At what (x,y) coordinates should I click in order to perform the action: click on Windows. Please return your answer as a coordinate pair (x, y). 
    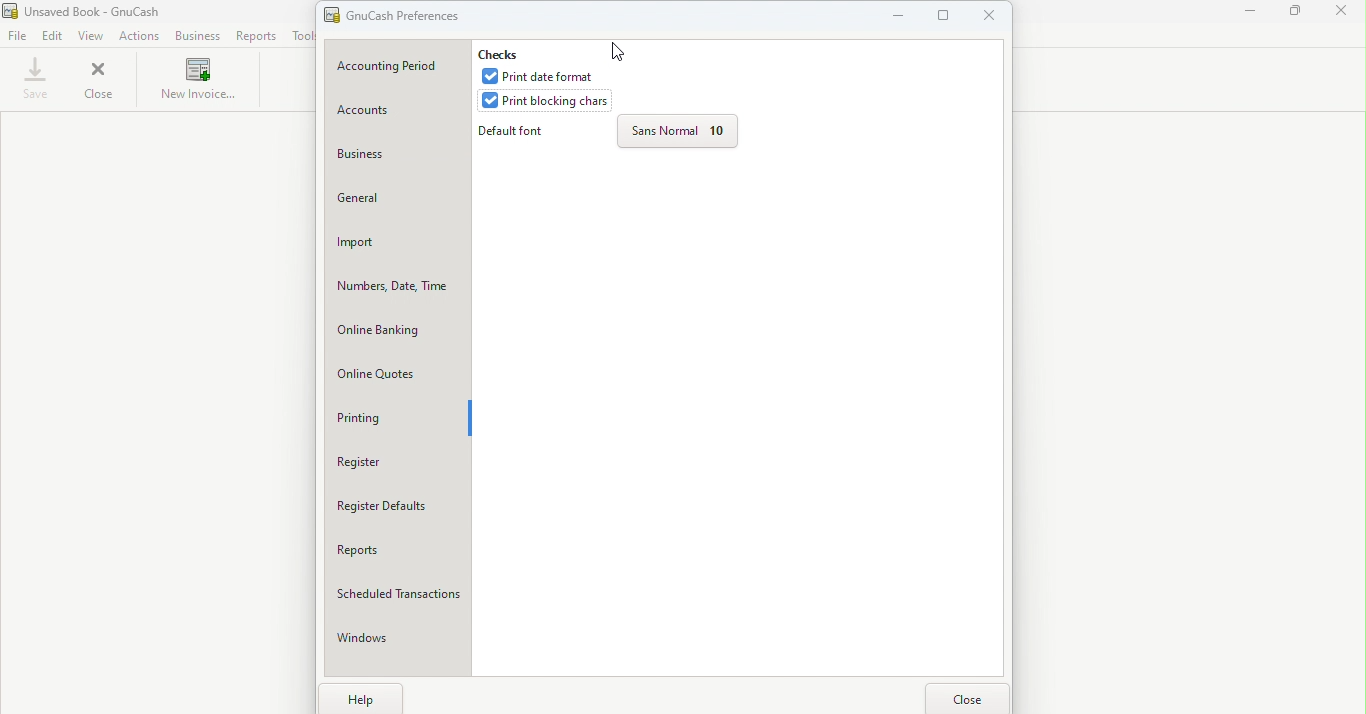
    Looking at the image, I should click on (396, 641).